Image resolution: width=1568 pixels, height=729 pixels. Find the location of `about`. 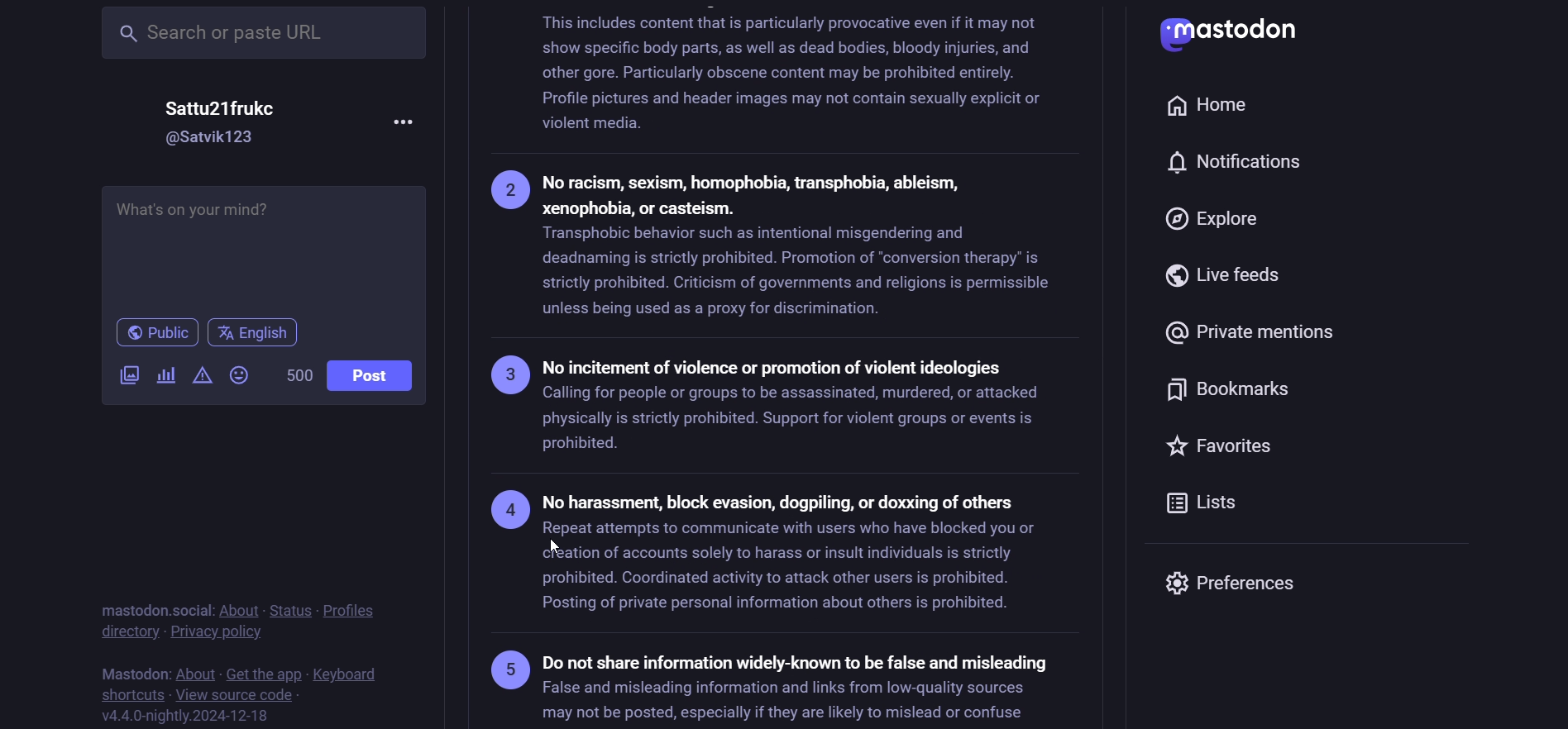

about is located at coordinates (194, 672).